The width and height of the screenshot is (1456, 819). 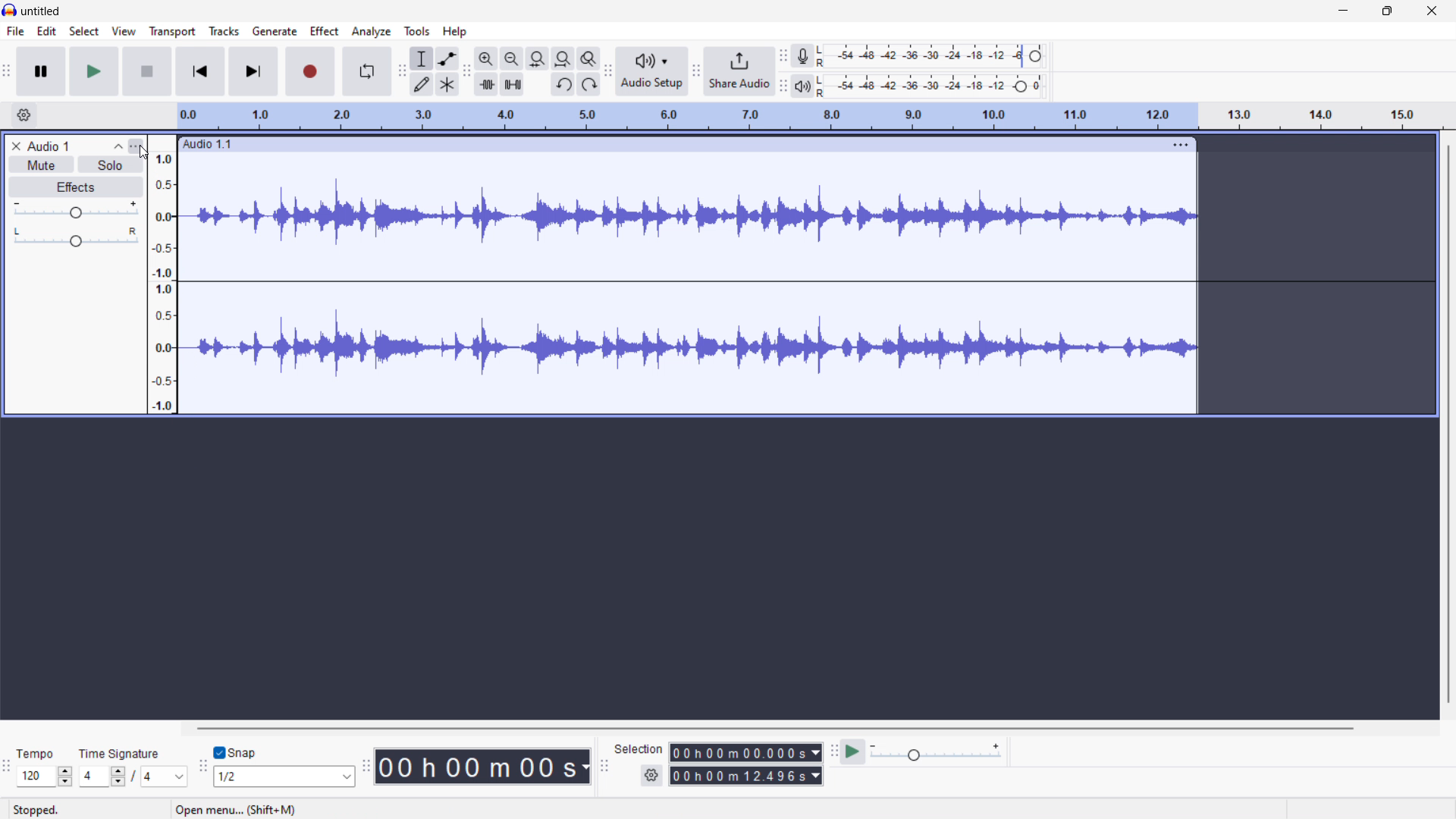 What do you see at coordinates (783, 55) in the screenshot?
I see `recording meter toolbar` at bounding box center [783, 55].